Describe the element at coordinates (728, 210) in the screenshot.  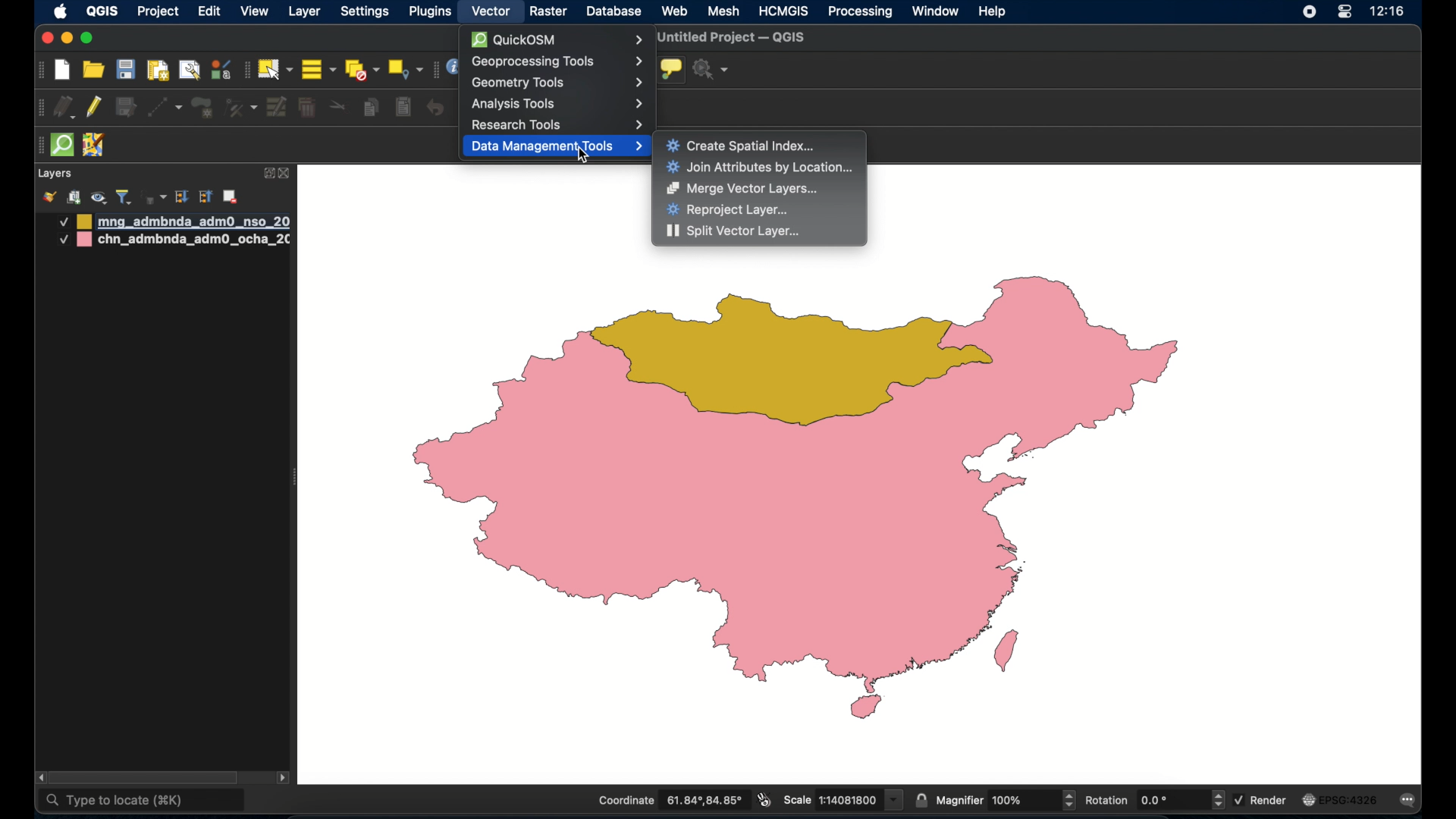
I see `reproject layer` at that location.